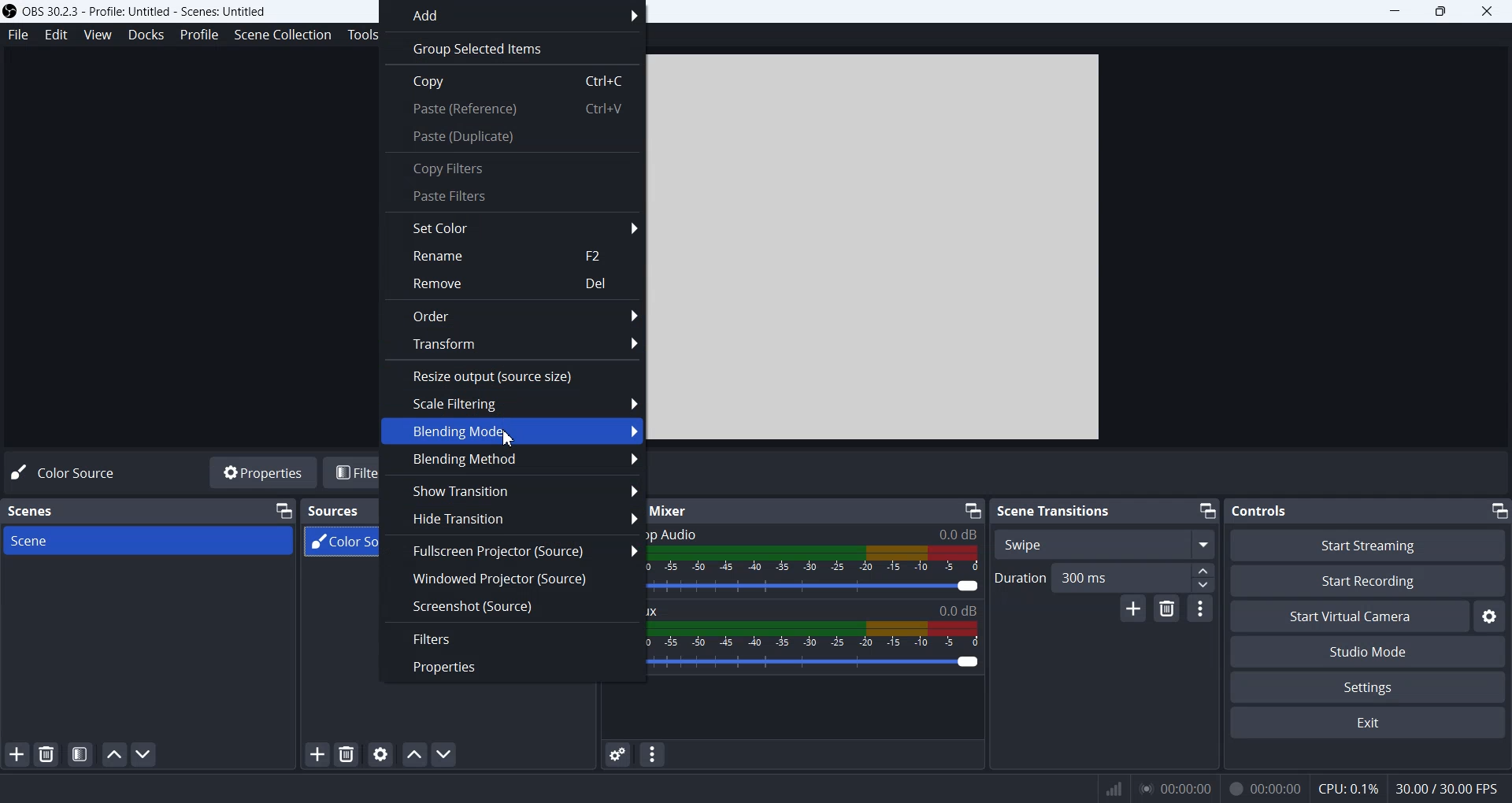 This screenshot has width=1512, height=803. I want to click on Paste (duplicate), so click(513, 139).